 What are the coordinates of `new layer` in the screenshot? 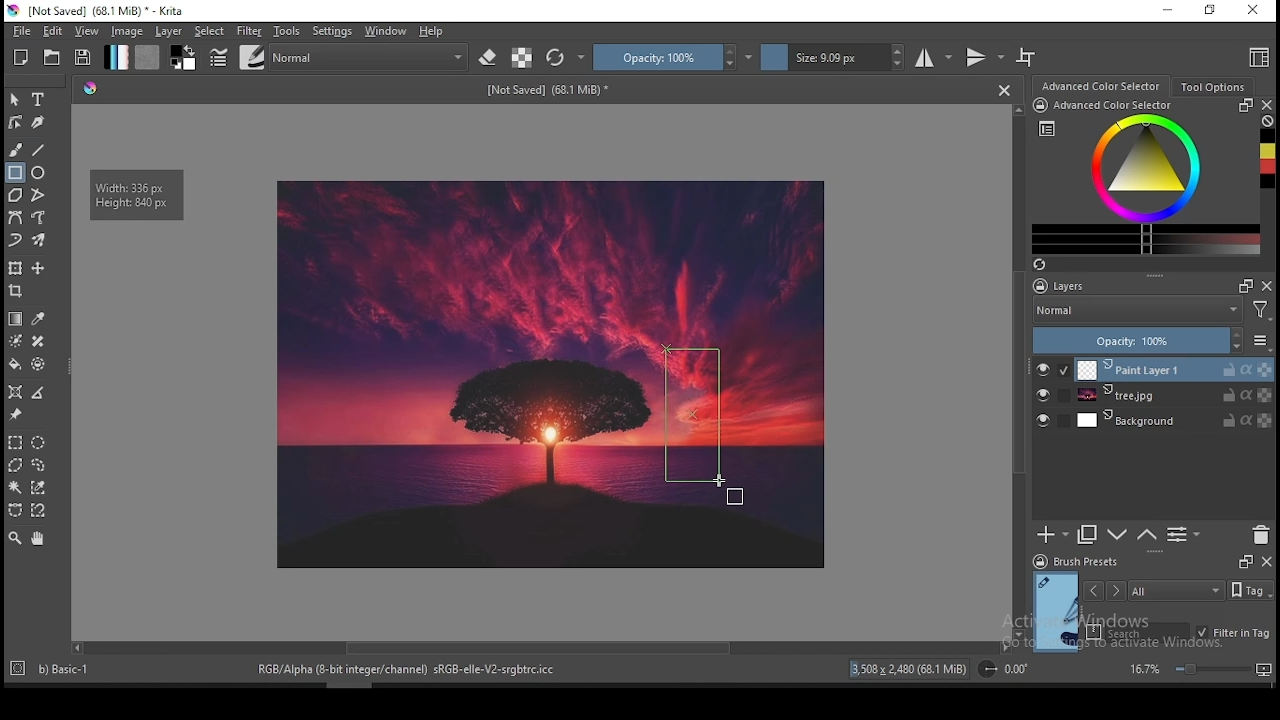 It's located at (1053, 536).